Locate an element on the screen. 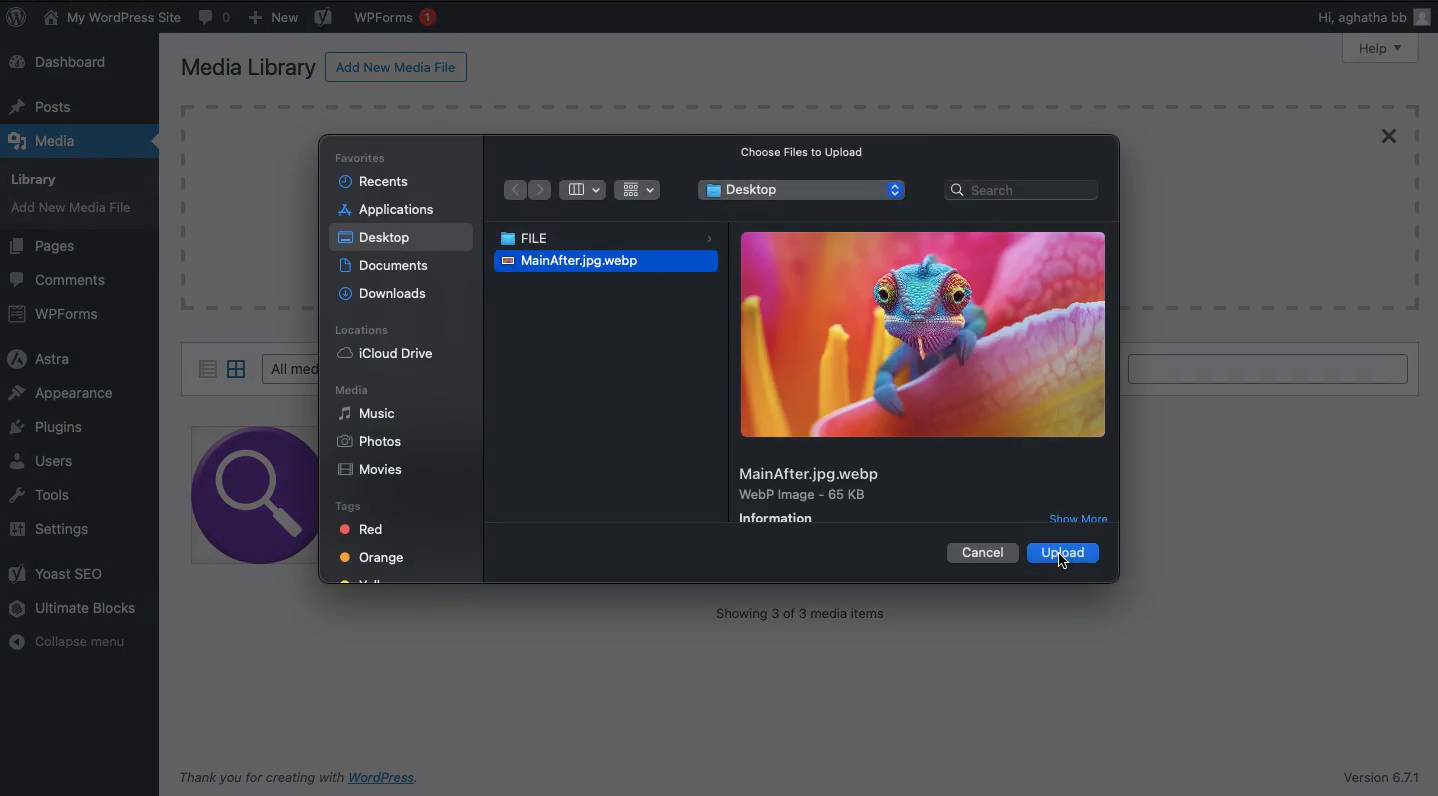 The image size is (1438, 796). Thank you for creating with WordPress is located at coordinates (300, 779).